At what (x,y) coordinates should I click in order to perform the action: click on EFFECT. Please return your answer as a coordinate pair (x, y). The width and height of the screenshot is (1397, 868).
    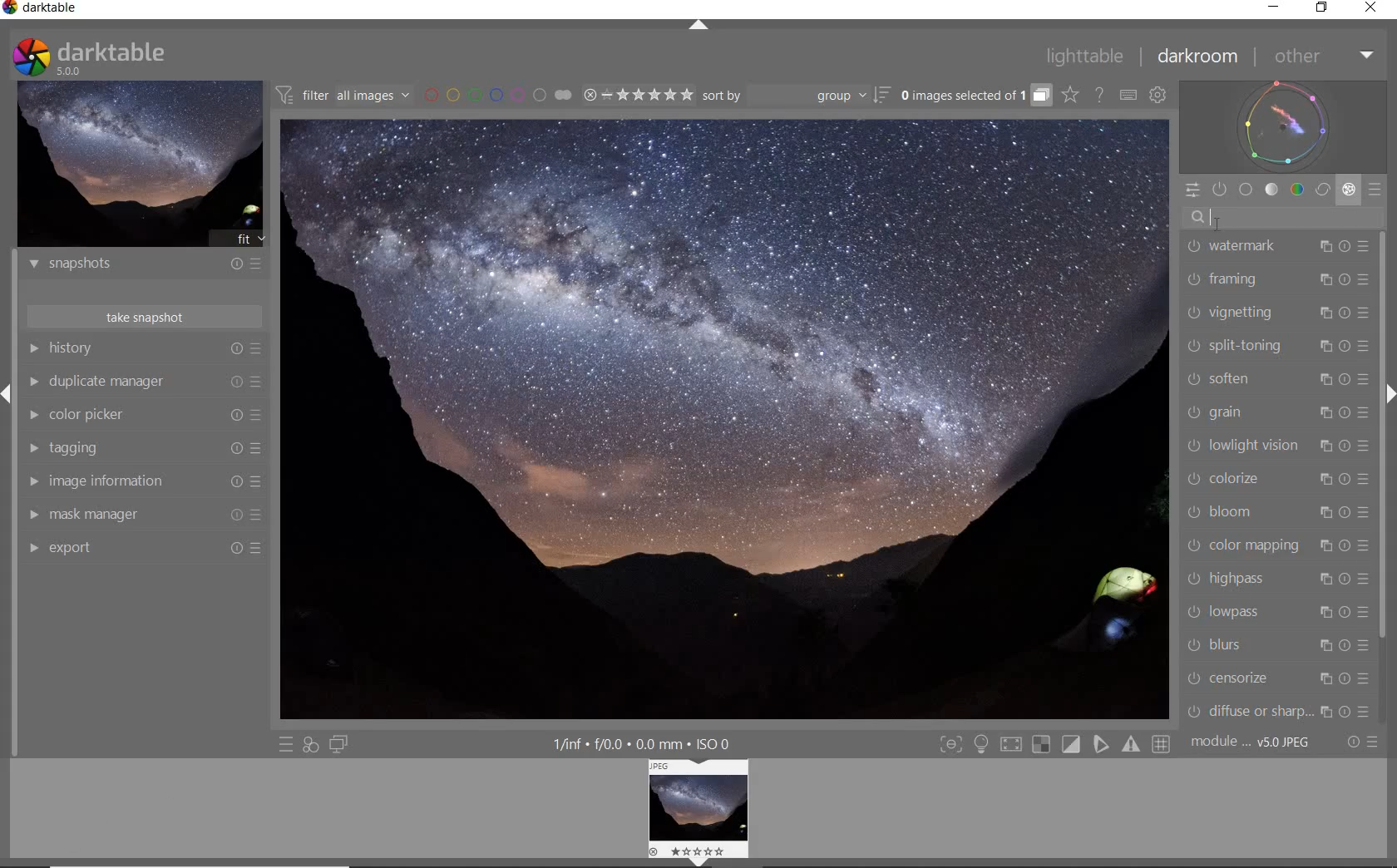
    Looking at the image, I should click on (1348, 190).